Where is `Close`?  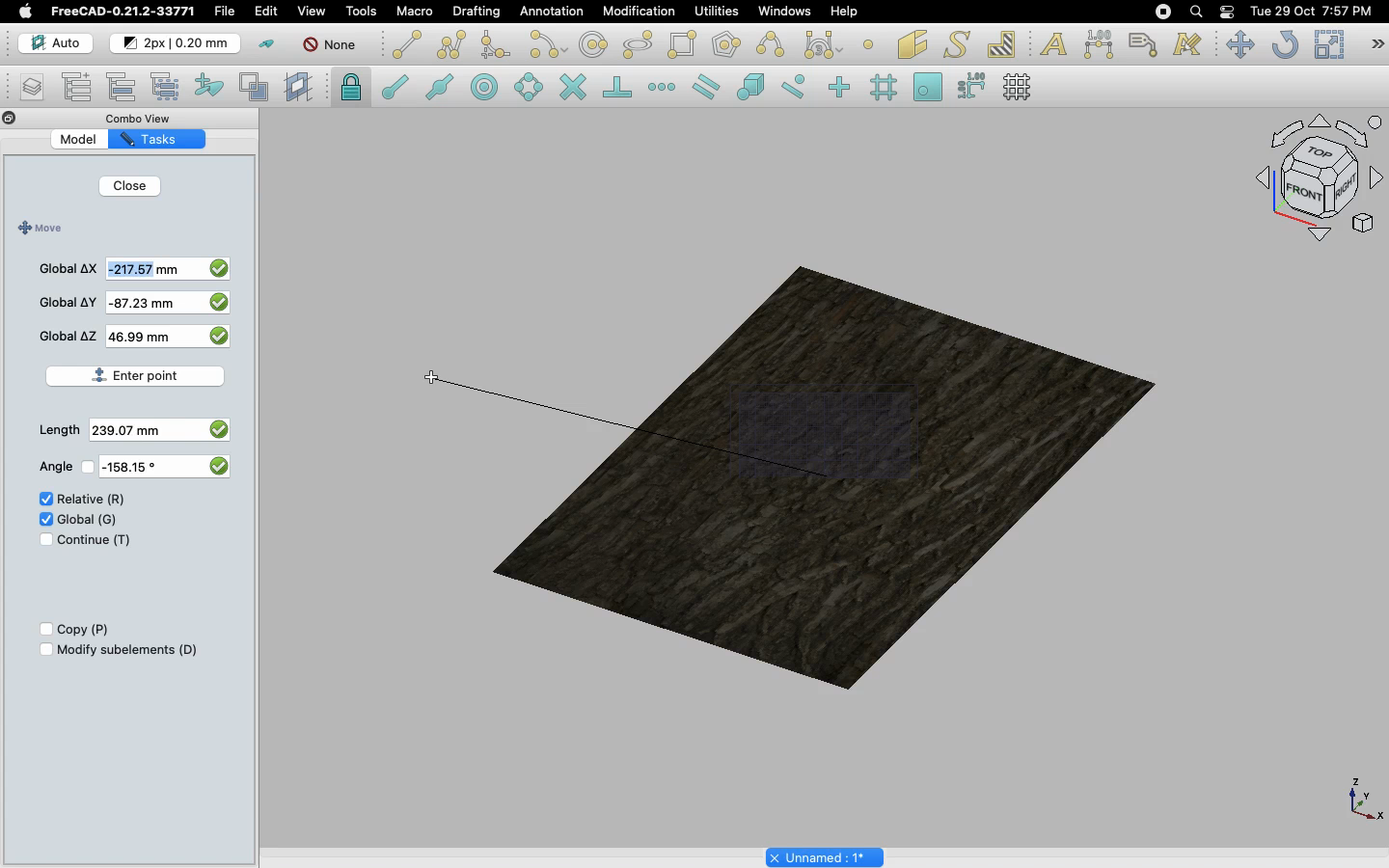 Close is located at coordinates (129, 188).